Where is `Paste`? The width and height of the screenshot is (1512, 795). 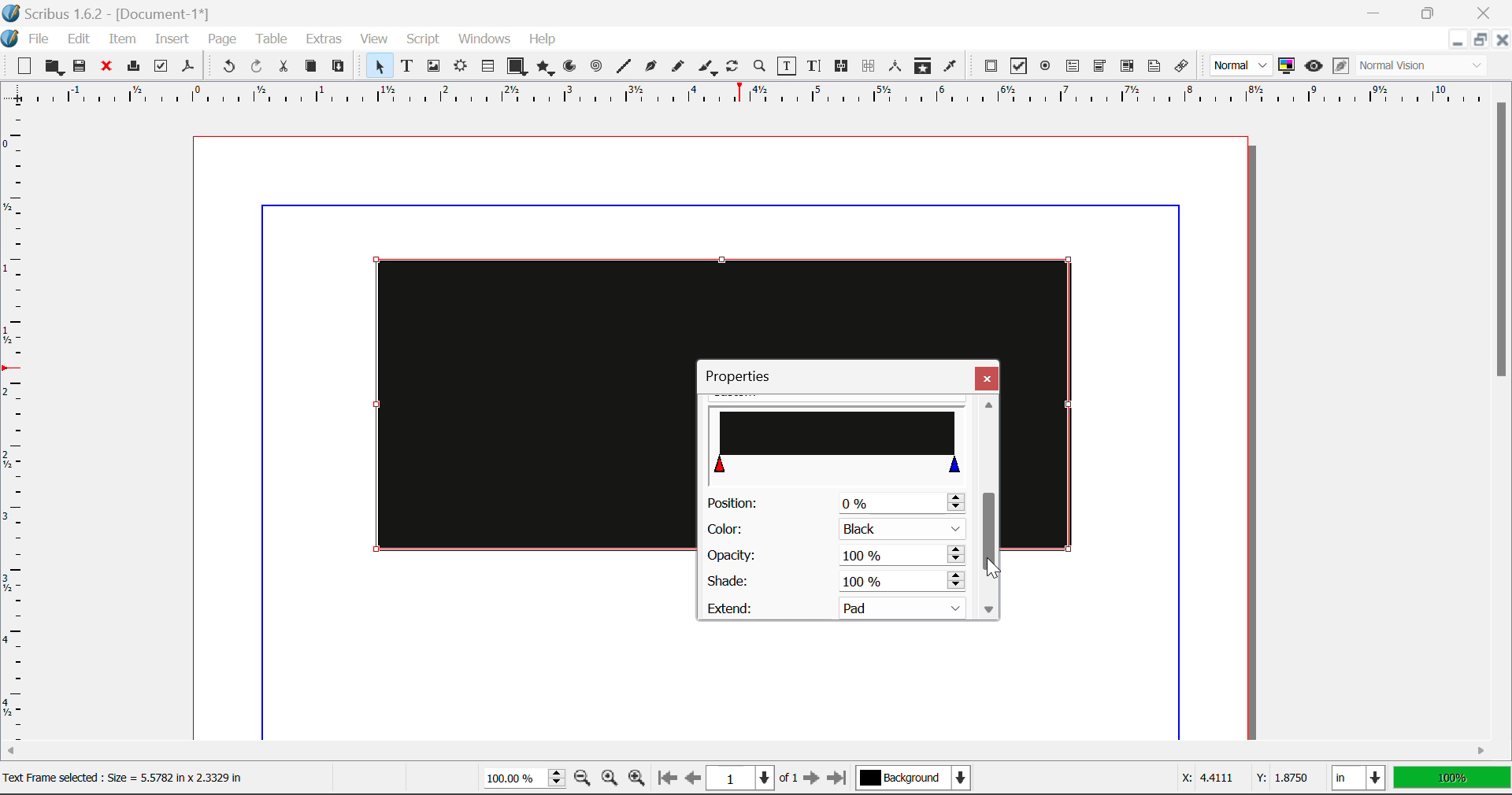
Paste is located at coordinates (339, 67).